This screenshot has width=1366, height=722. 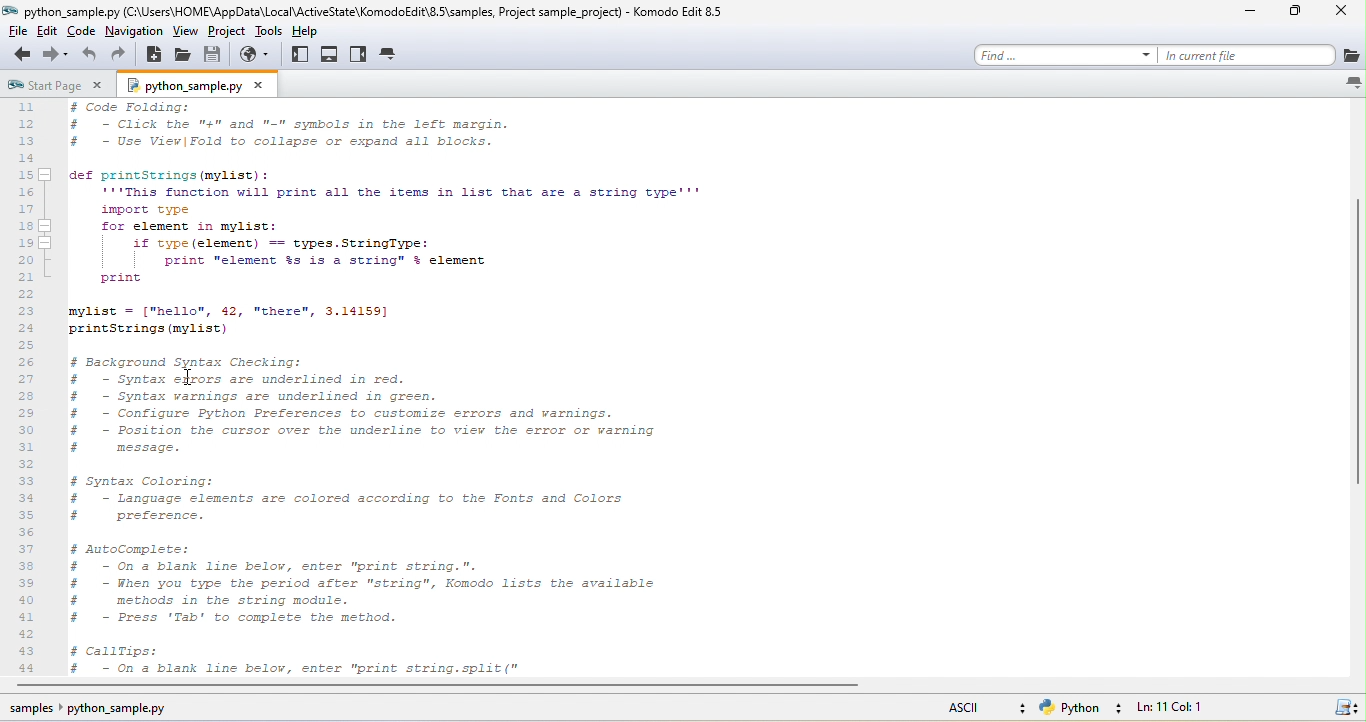 I want to click on back, so click(x=18, y=55).